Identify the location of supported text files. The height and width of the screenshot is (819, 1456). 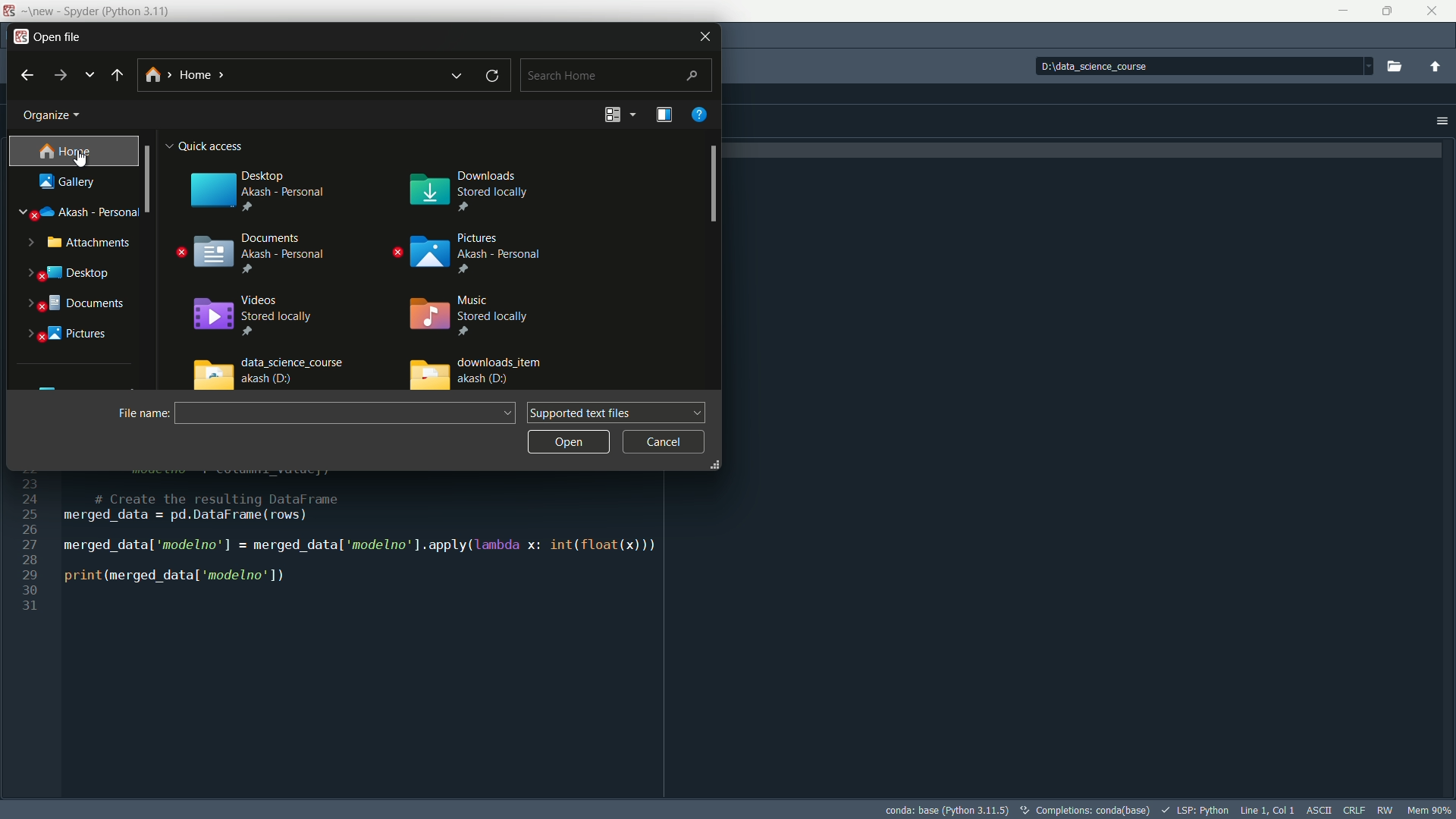
(618, 413).